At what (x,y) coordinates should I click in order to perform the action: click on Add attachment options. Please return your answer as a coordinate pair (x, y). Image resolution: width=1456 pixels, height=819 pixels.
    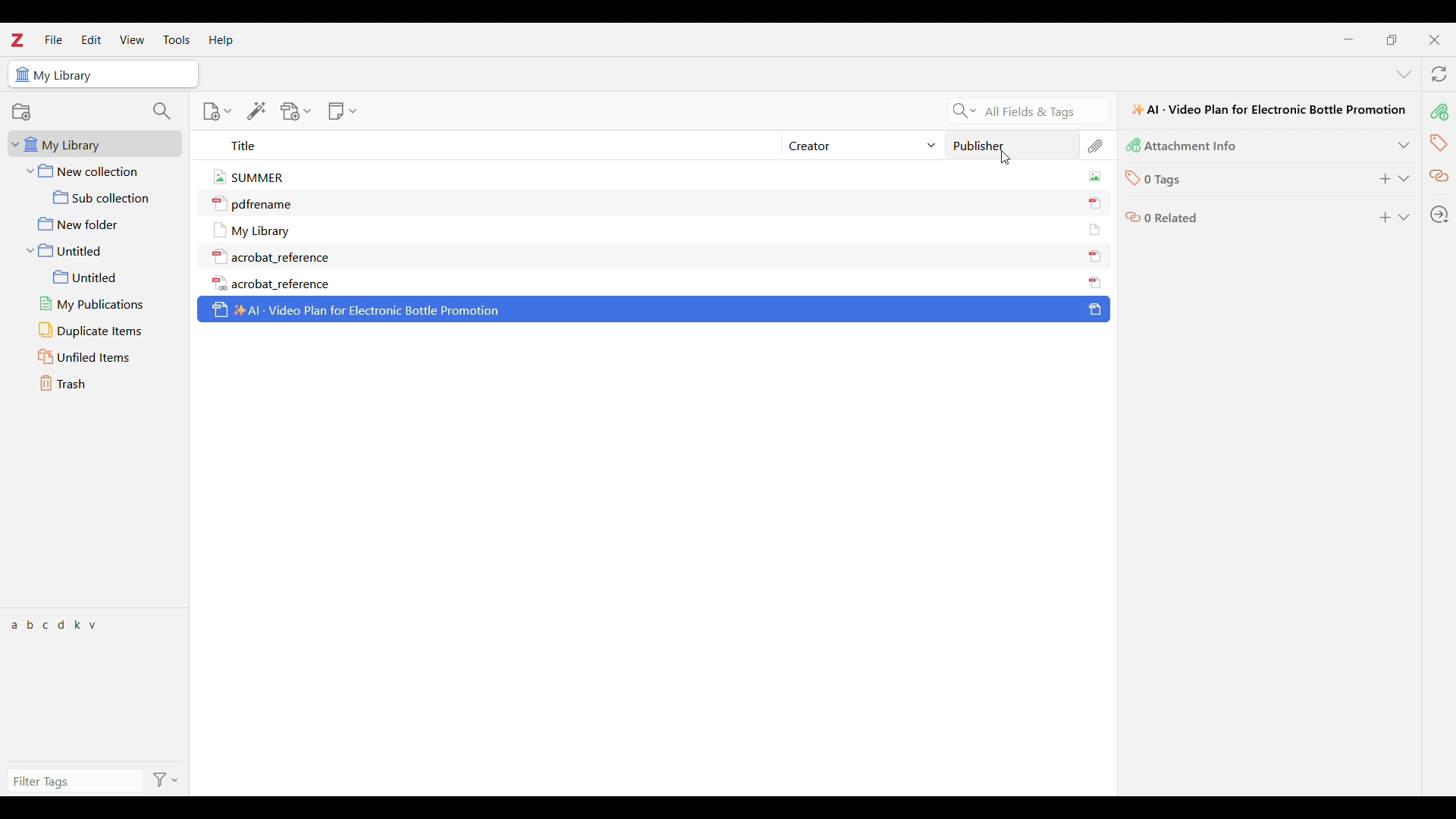
    Looking at the image, I should click on (296, 111).